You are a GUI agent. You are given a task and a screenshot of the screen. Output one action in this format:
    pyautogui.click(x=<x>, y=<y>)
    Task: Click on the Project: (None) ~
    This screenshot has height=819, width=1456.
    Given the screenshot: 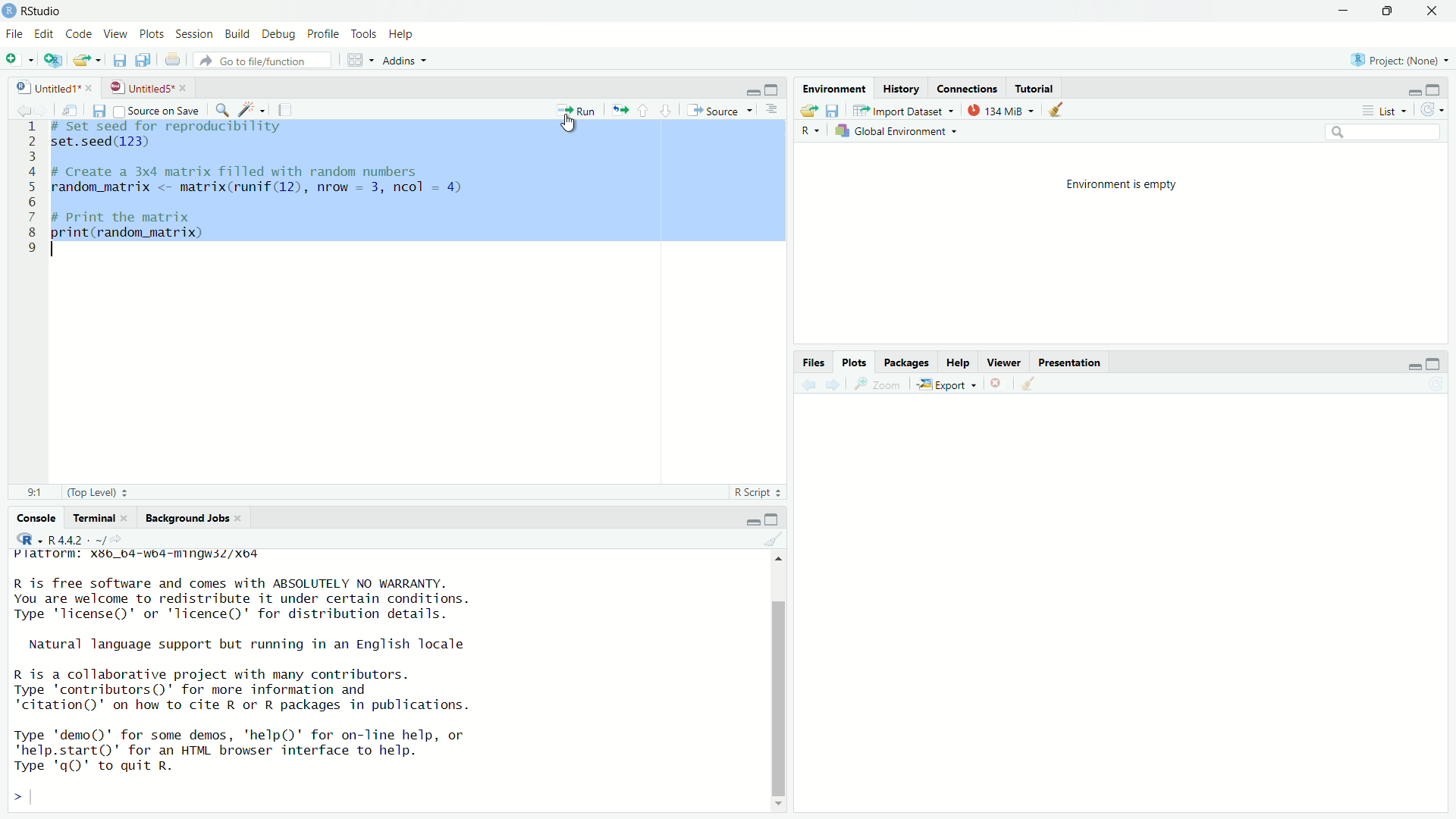 What is the action you would take?
    pyautogui.click(x=1399, y=61)
    